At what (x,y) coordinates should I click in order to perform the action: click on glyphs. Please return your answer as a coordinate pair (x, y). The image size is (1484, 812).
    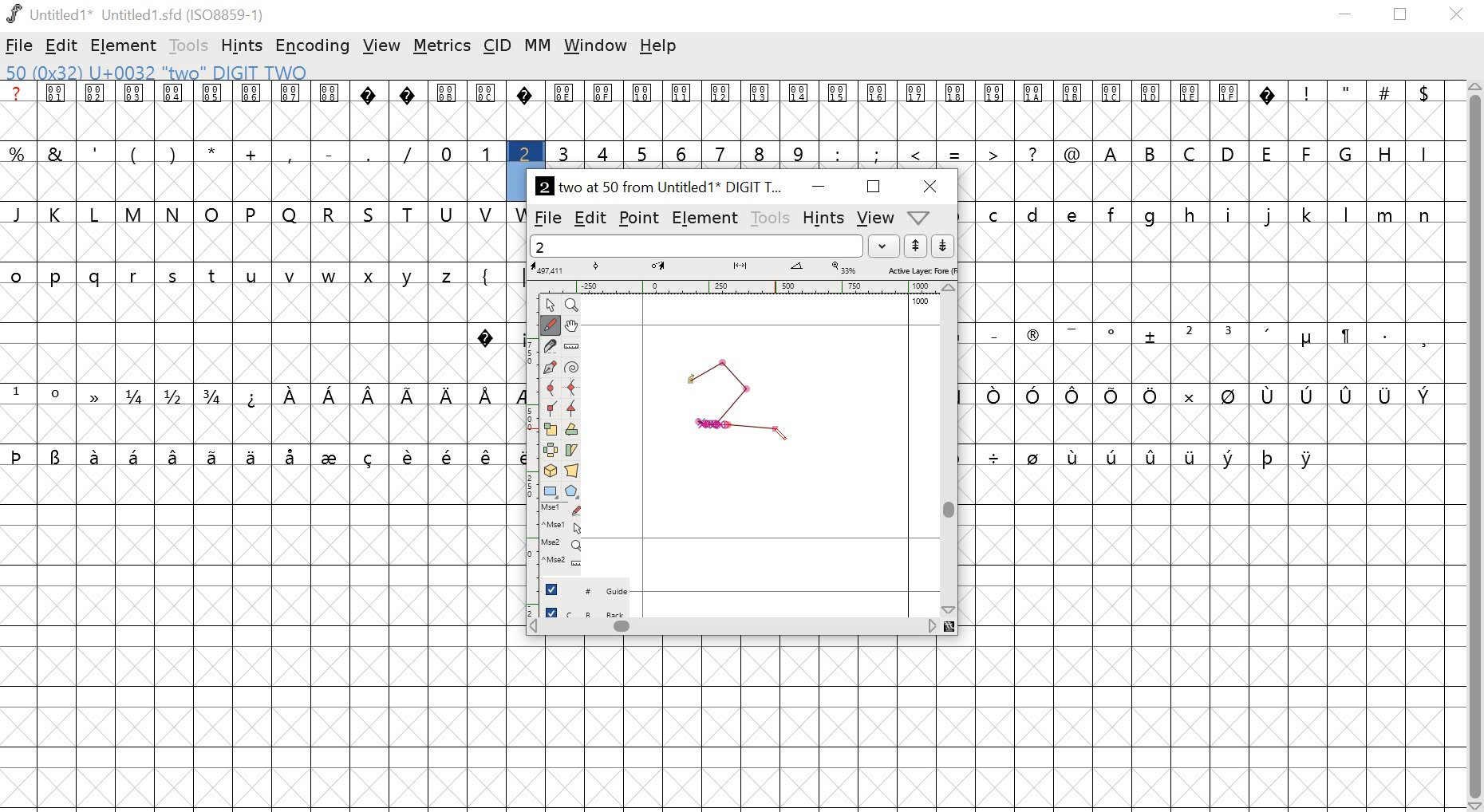
    Looking at the image, I should click on (260, 279).